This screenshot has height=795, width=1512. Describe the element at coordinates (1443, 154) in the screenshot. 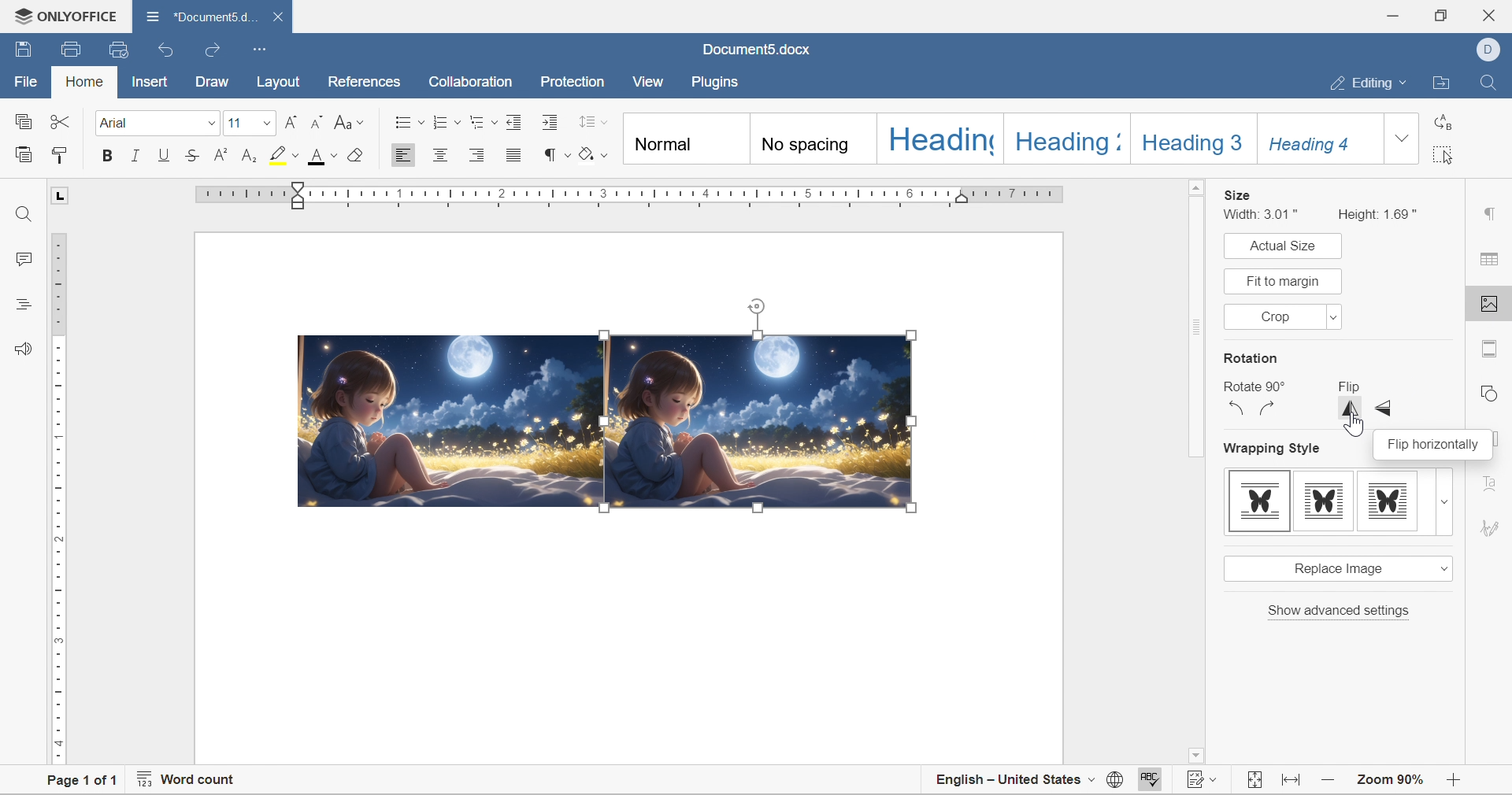

I see `select all` at that location.